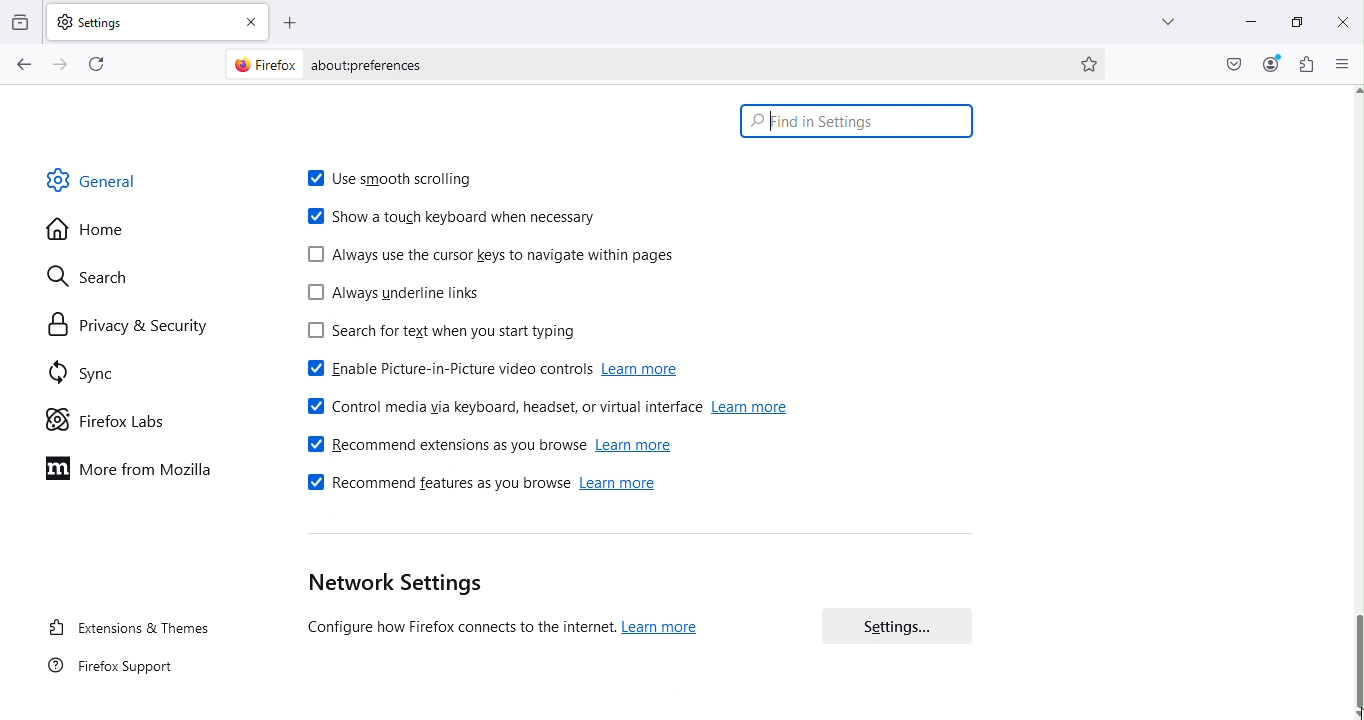 Image resolution: width=1364 pixels, height=720 pixels. I want to click on learn more, so click(645, 370).